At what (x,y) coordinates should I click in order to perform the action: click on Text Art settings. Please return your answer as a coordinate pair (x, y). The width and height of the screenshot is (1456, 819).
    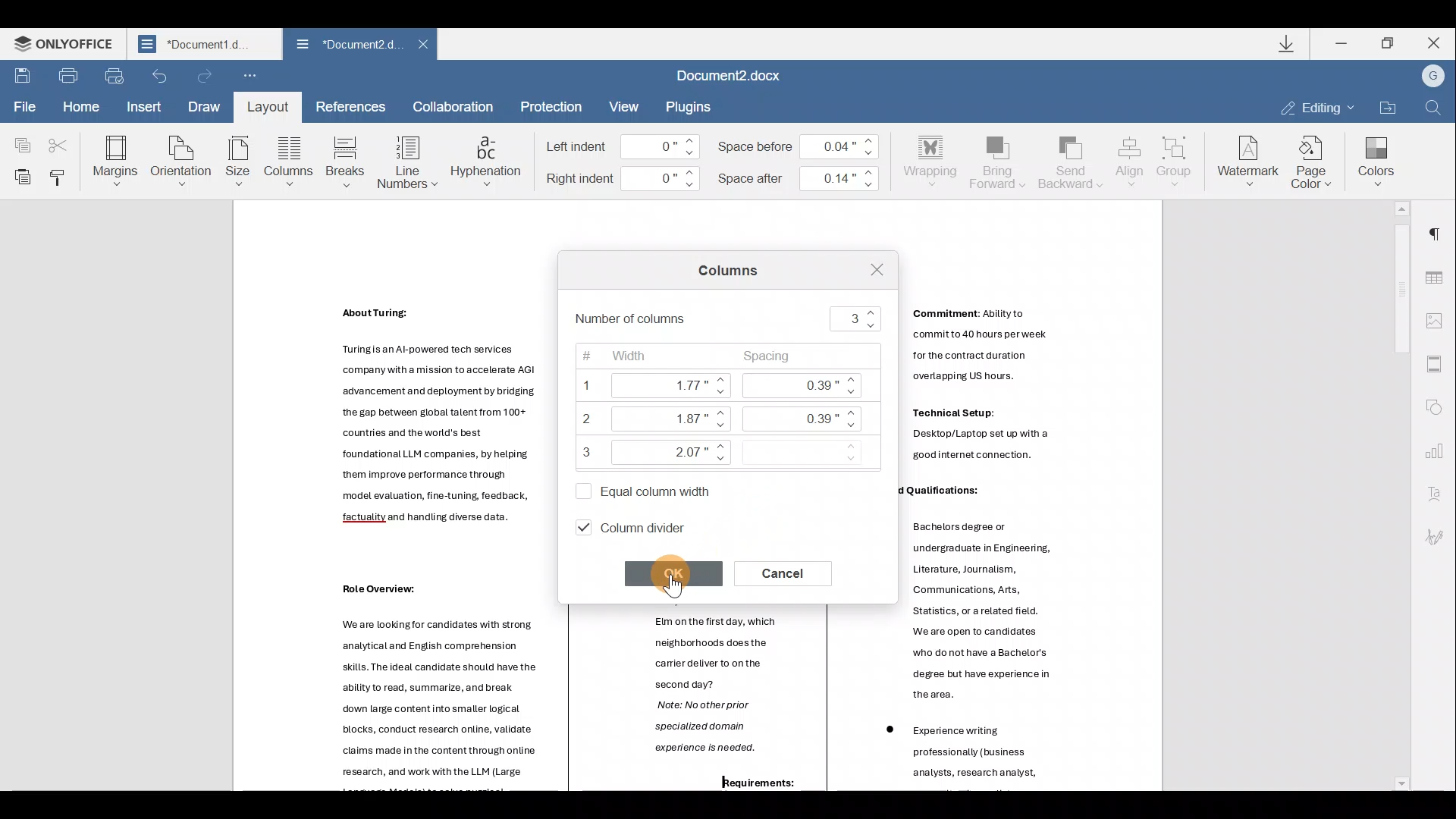
    Looking at the image, I should click on (1437, 495).